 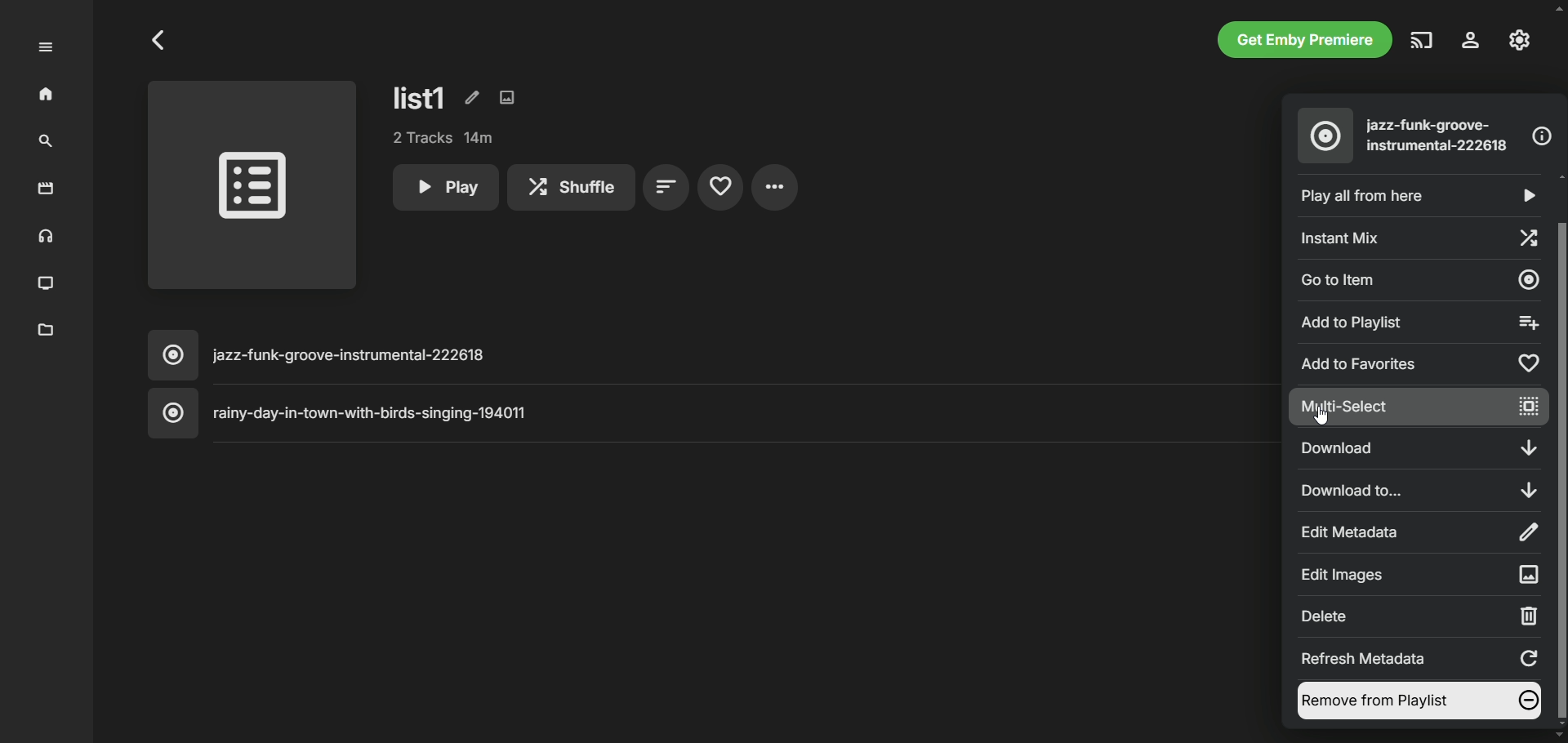 What do you see at coordinates (571, 187) in the screenshot?
I see `shuffle` at bounding box center [571, 187].